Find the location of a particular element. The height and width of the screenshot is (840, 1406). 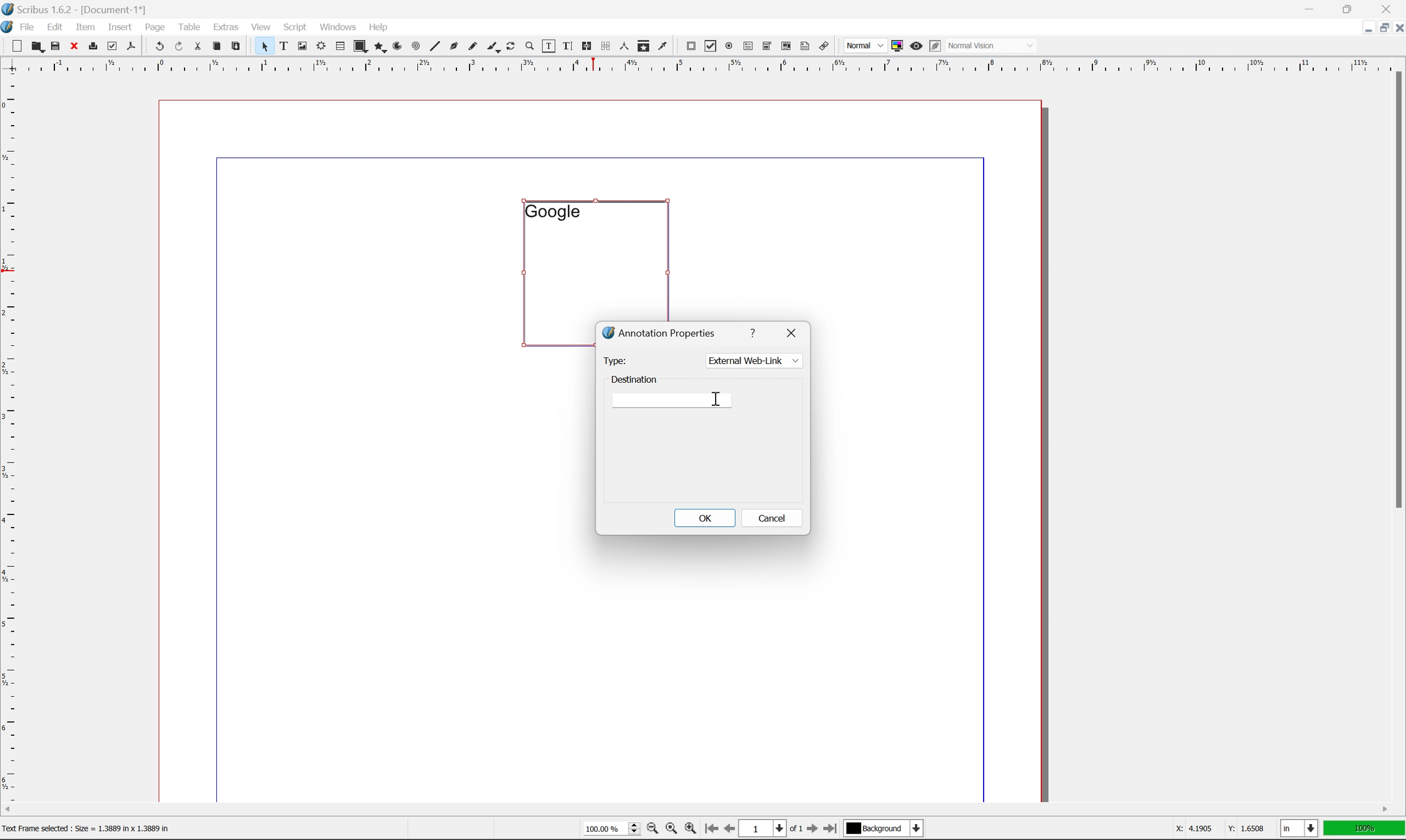

table is located at coordinates (340, 47).